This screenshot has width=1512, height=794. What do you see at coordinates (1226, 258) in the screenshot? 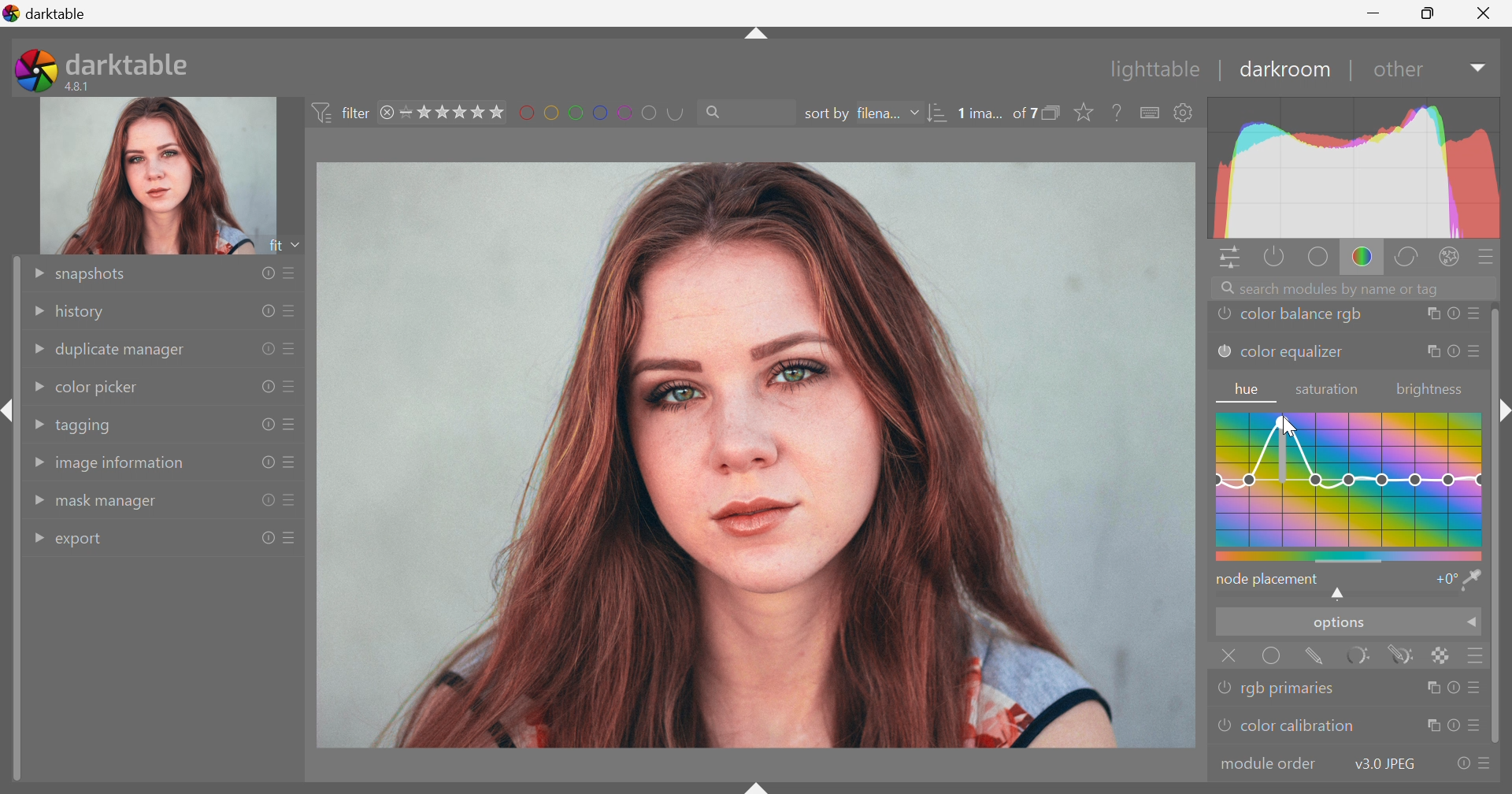
I see `quick access panel` at bounding box center [1226, 258].